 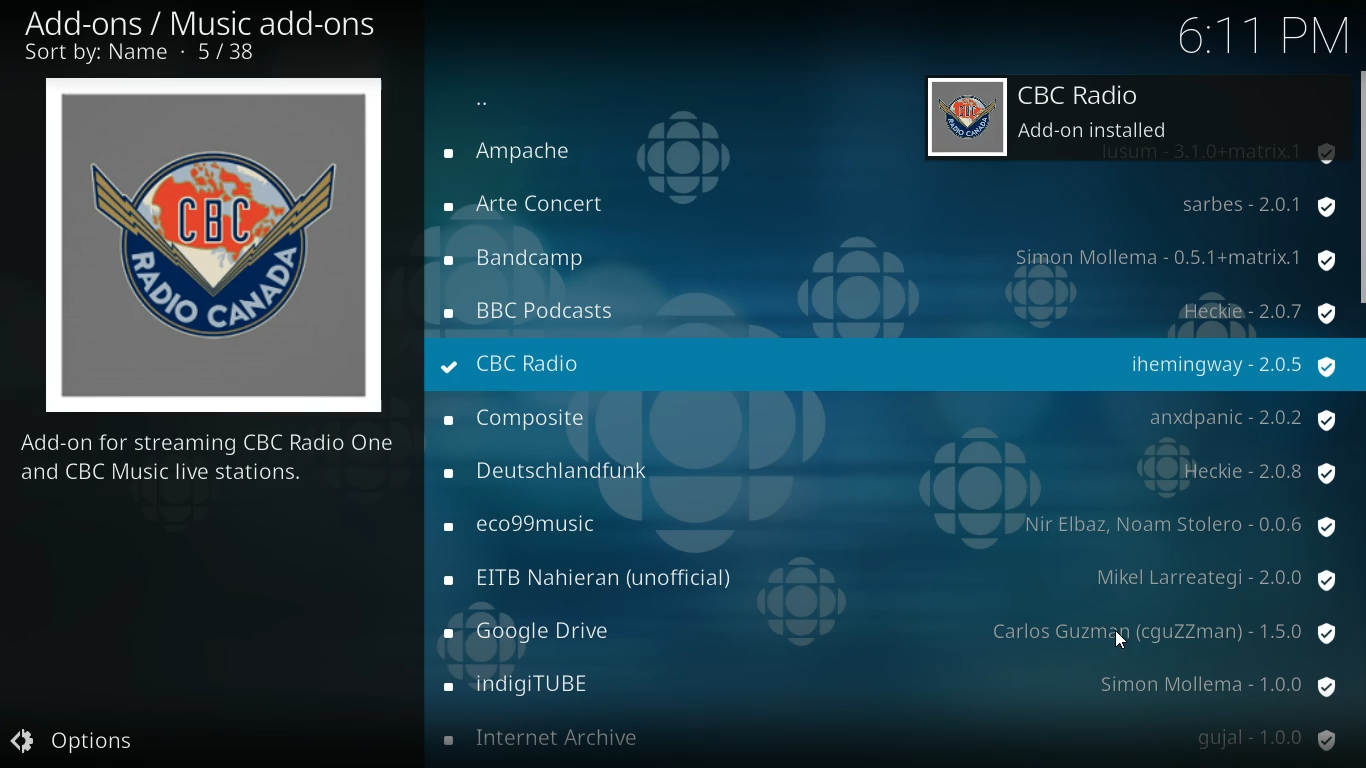 What do you see at coordinates (595, 574) in the screenshot?
I see `radio name` at bounding box center [595, 574].